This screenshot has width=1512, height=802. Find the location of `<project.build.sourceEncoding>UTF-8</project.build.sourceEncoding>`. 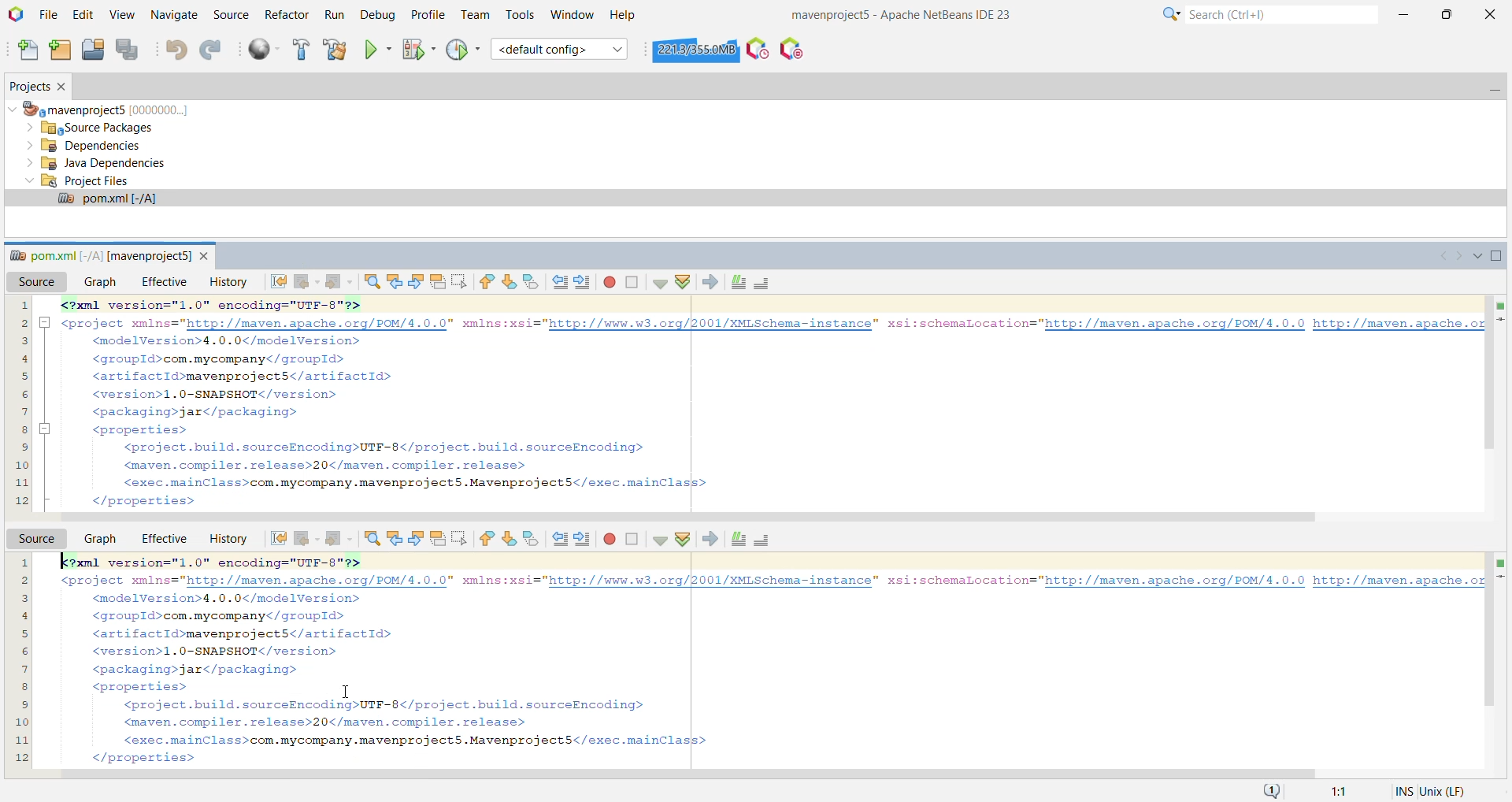

<project.build.sourceEncoding>UTF-8</project.build.sourceEncoding> is located at coordinates (389, 446).